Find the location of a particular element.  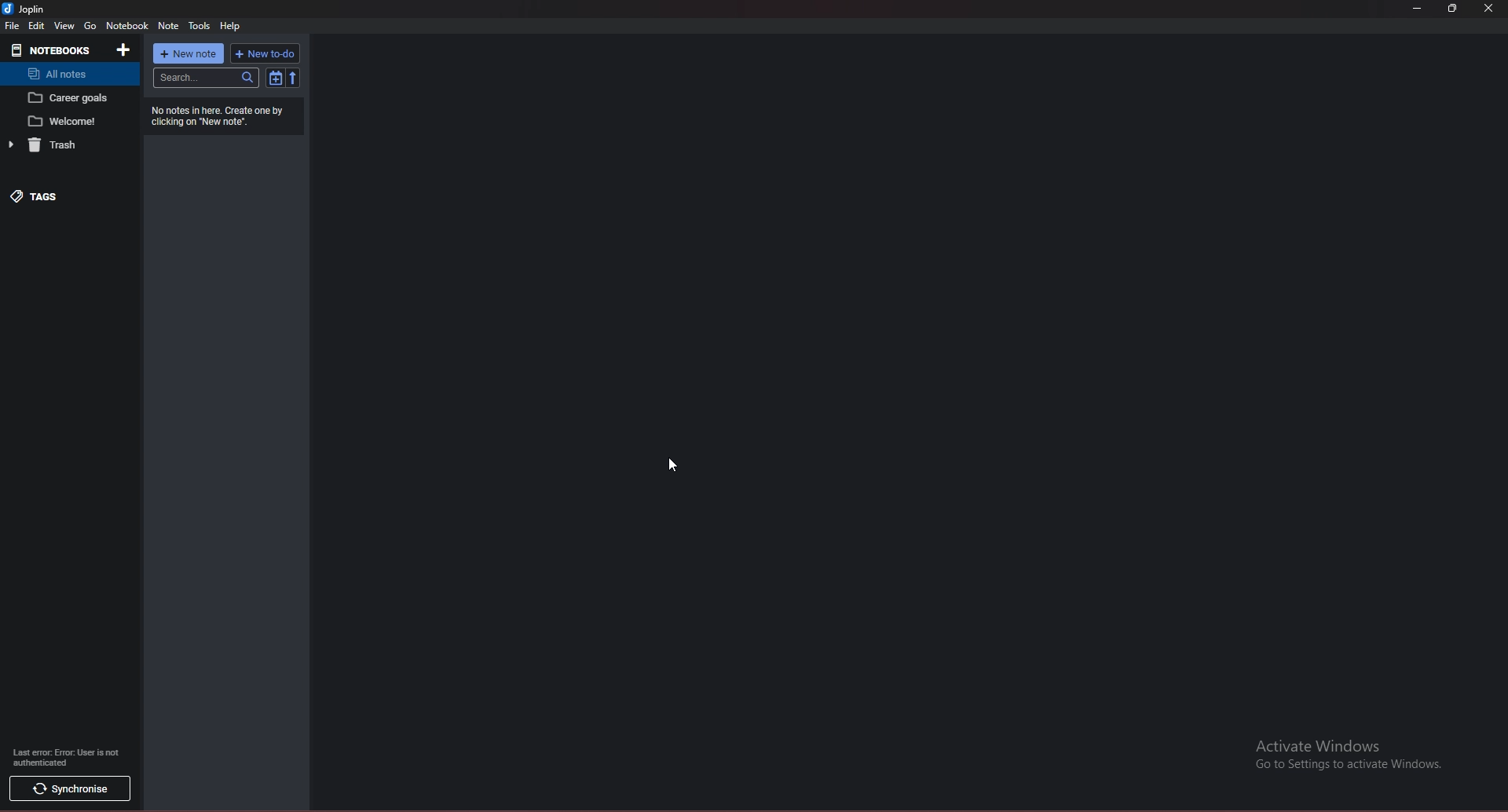

notebook is located at coordinates (127, 27).